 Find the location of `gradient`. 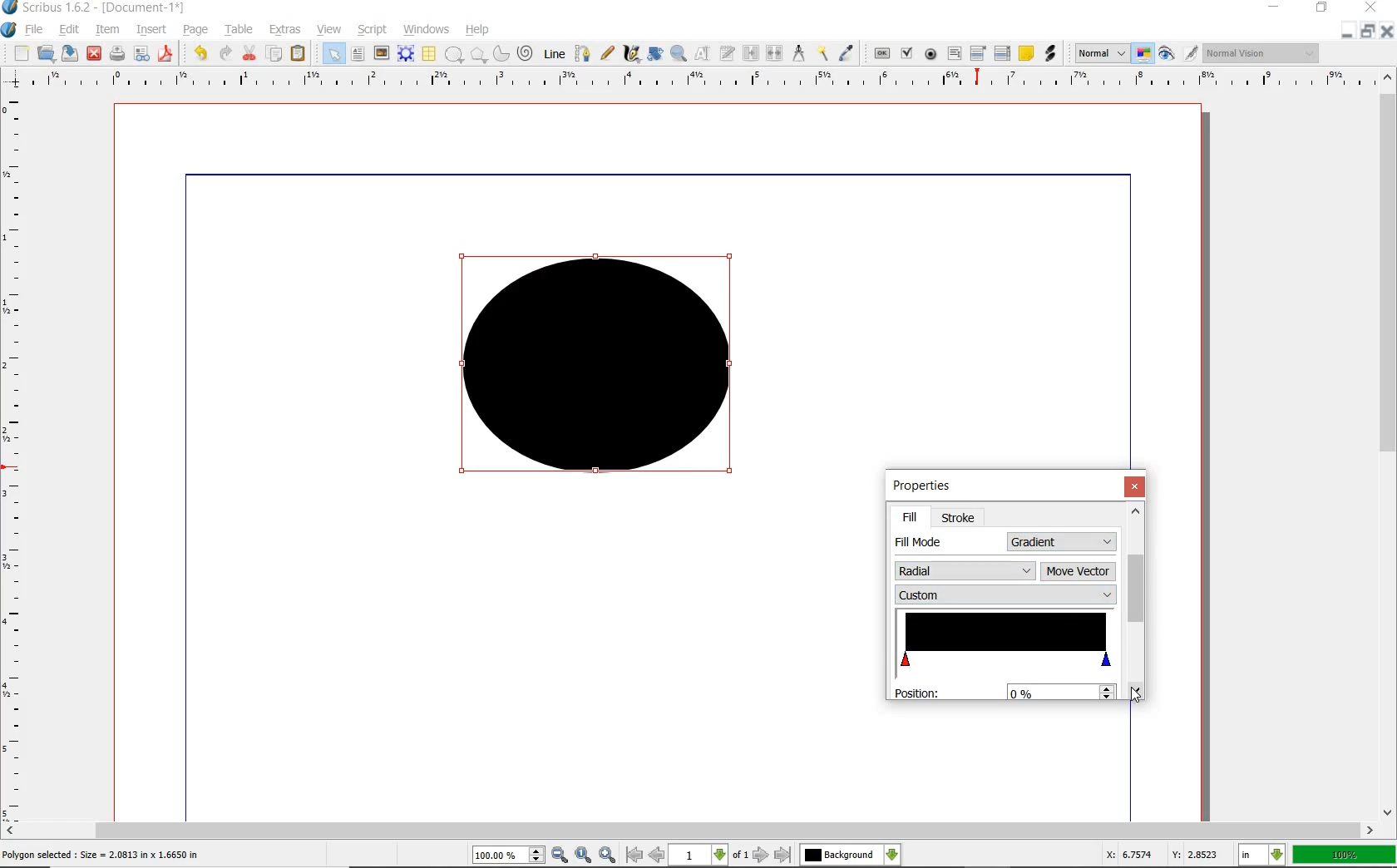

gradient is located at coordinates (1064, 541).